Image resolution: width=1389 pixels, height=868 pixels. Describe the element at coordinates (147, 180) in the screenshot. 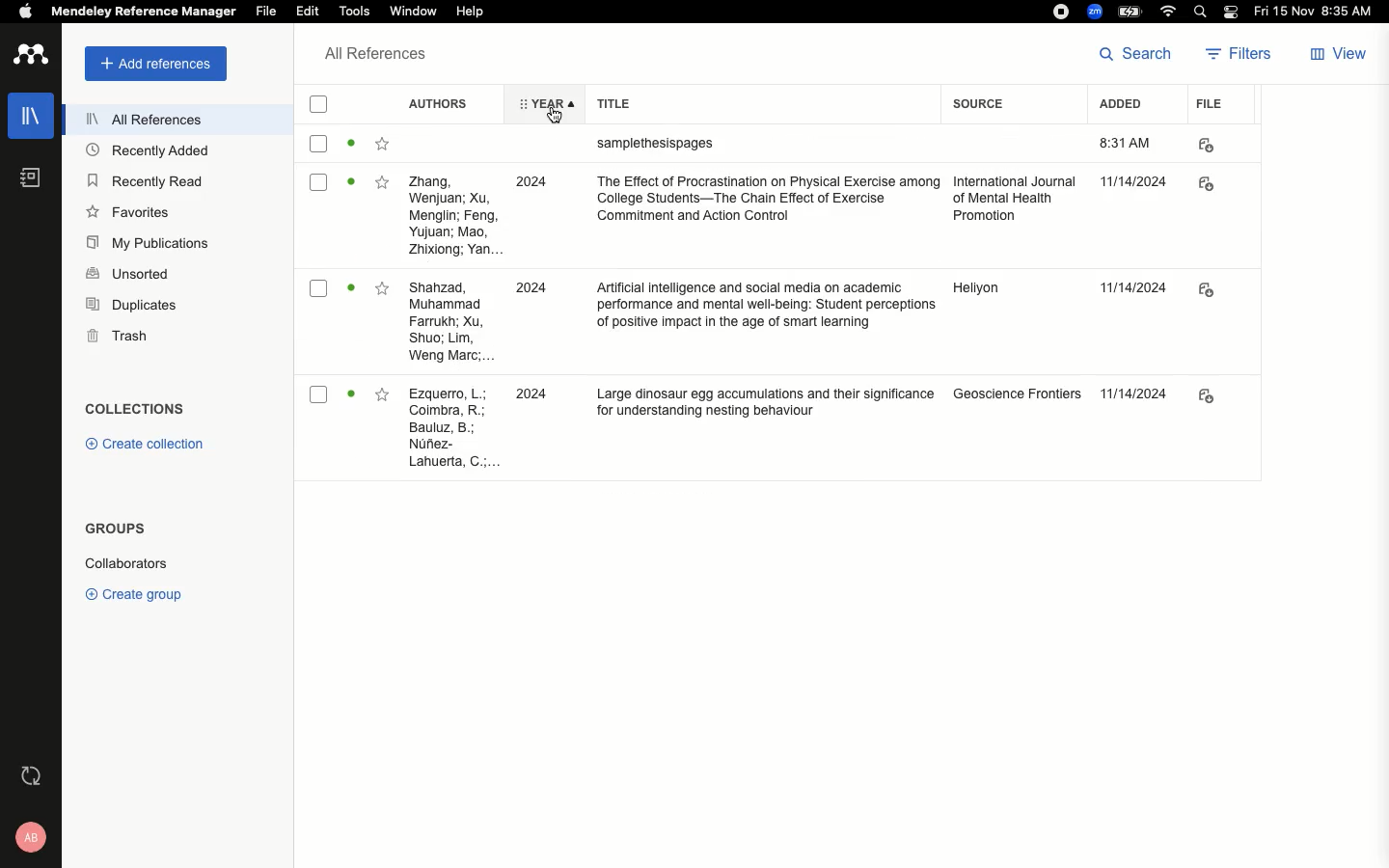

I see `Recently read` at that location.